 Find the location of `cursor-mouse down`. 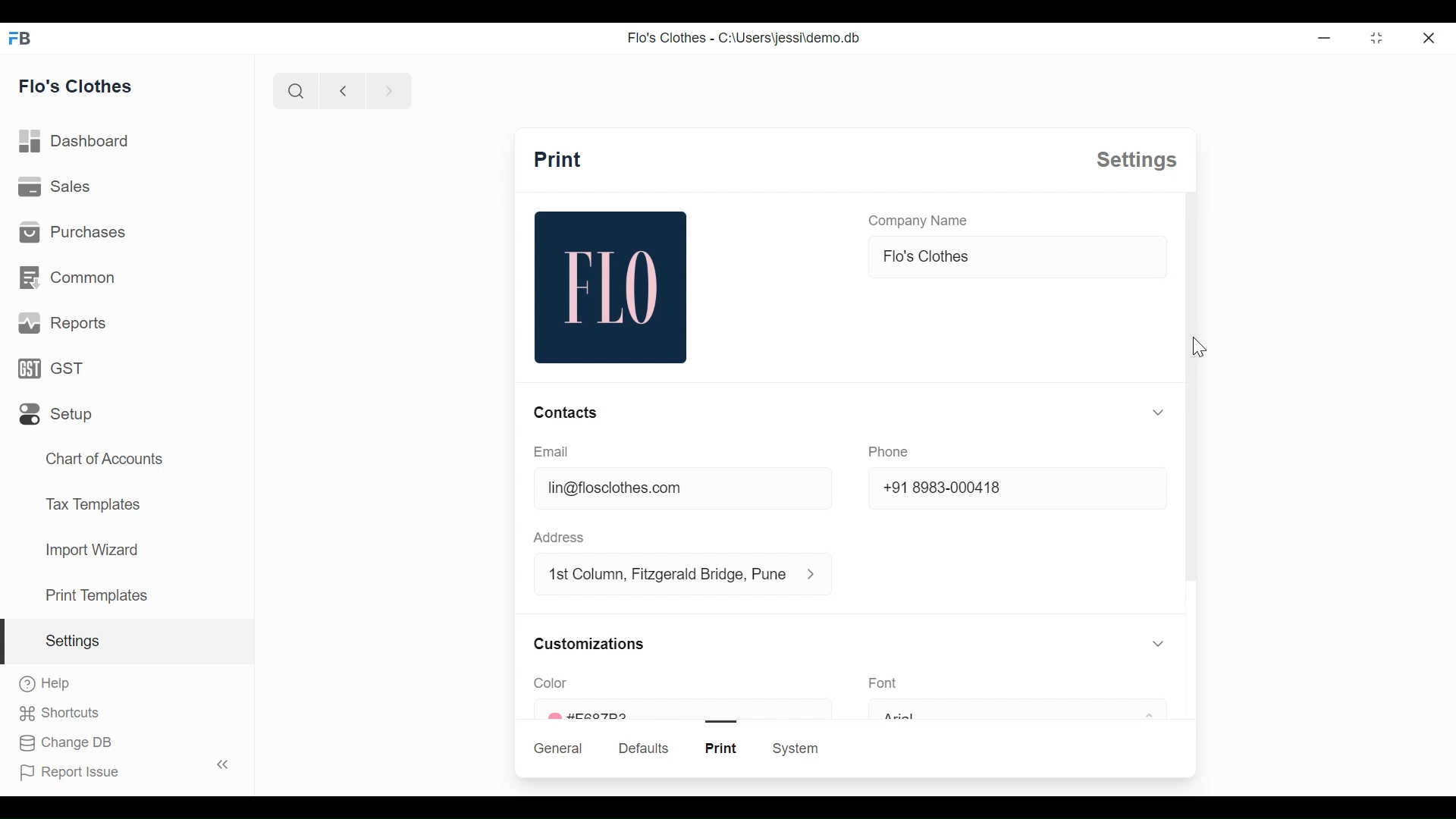

cursor-mouse down is located at coordinates (1200, 347).